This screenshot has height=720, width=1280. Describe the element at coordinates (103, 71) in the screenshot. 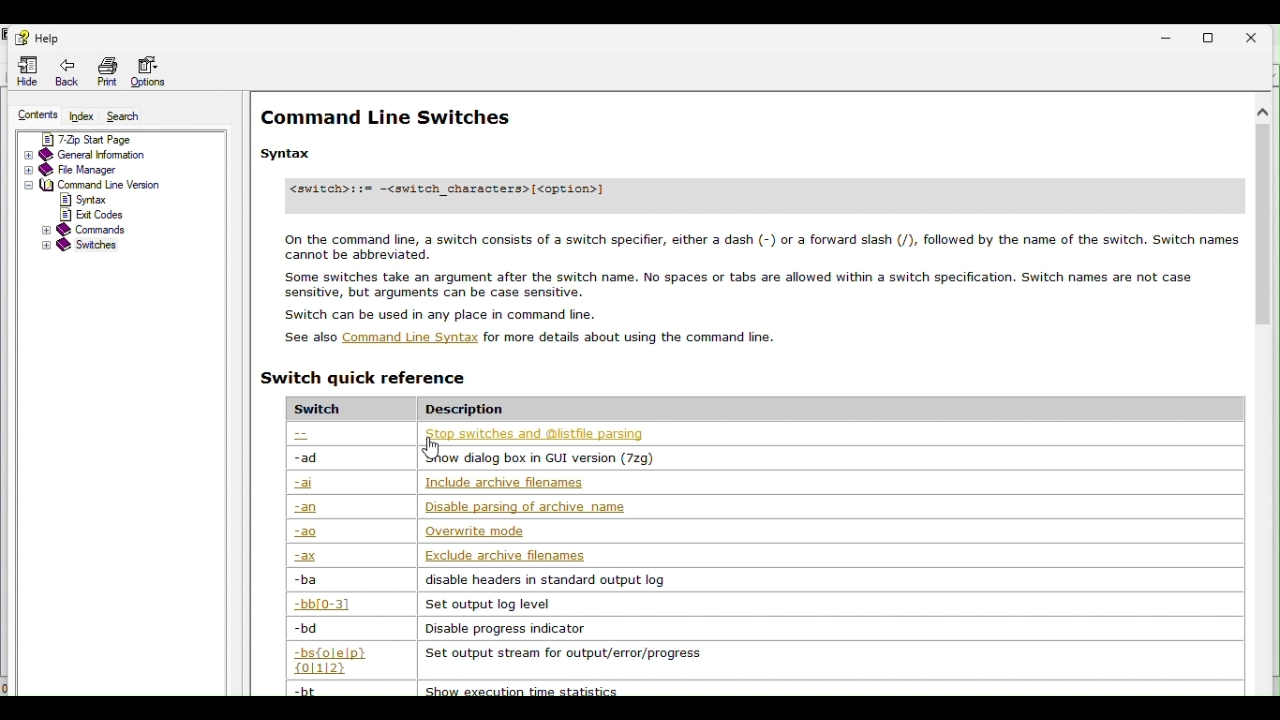

I see `Print` at that location.